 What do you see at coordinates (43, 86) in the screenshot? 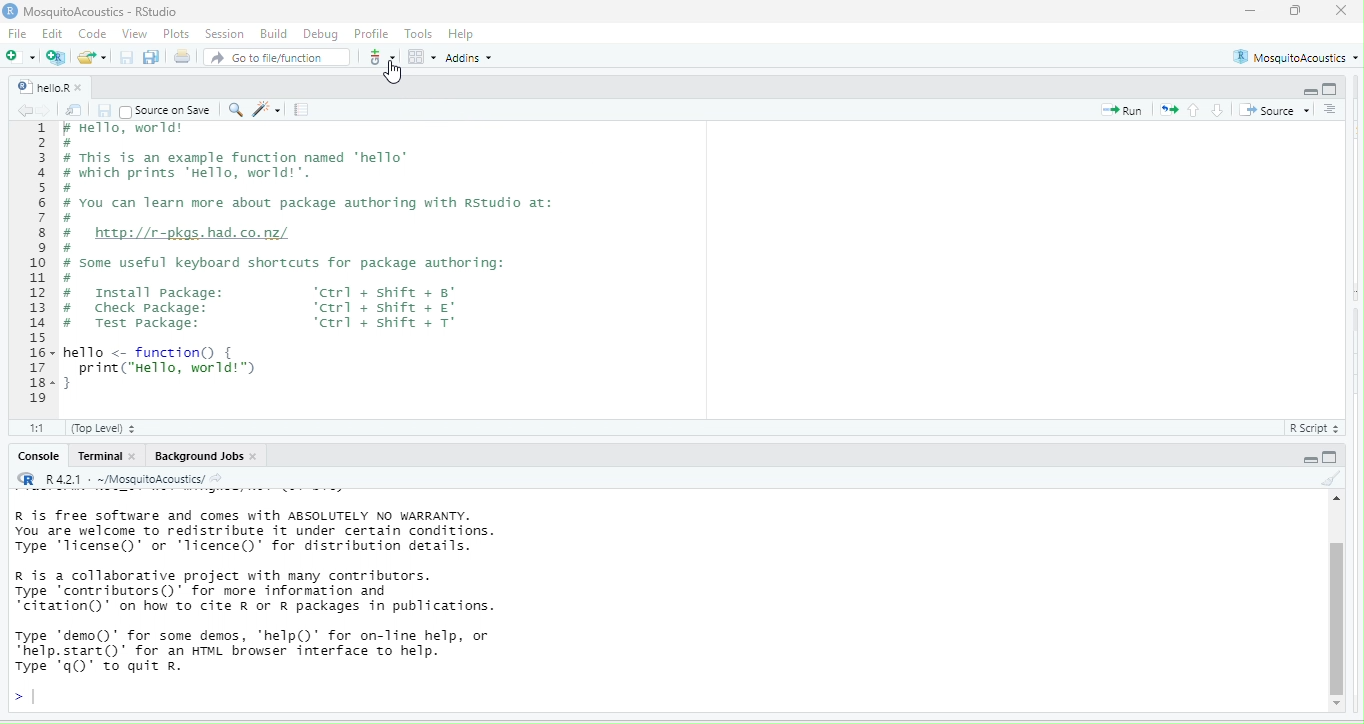
I see ` helloR` at bounding box center [43, 86].